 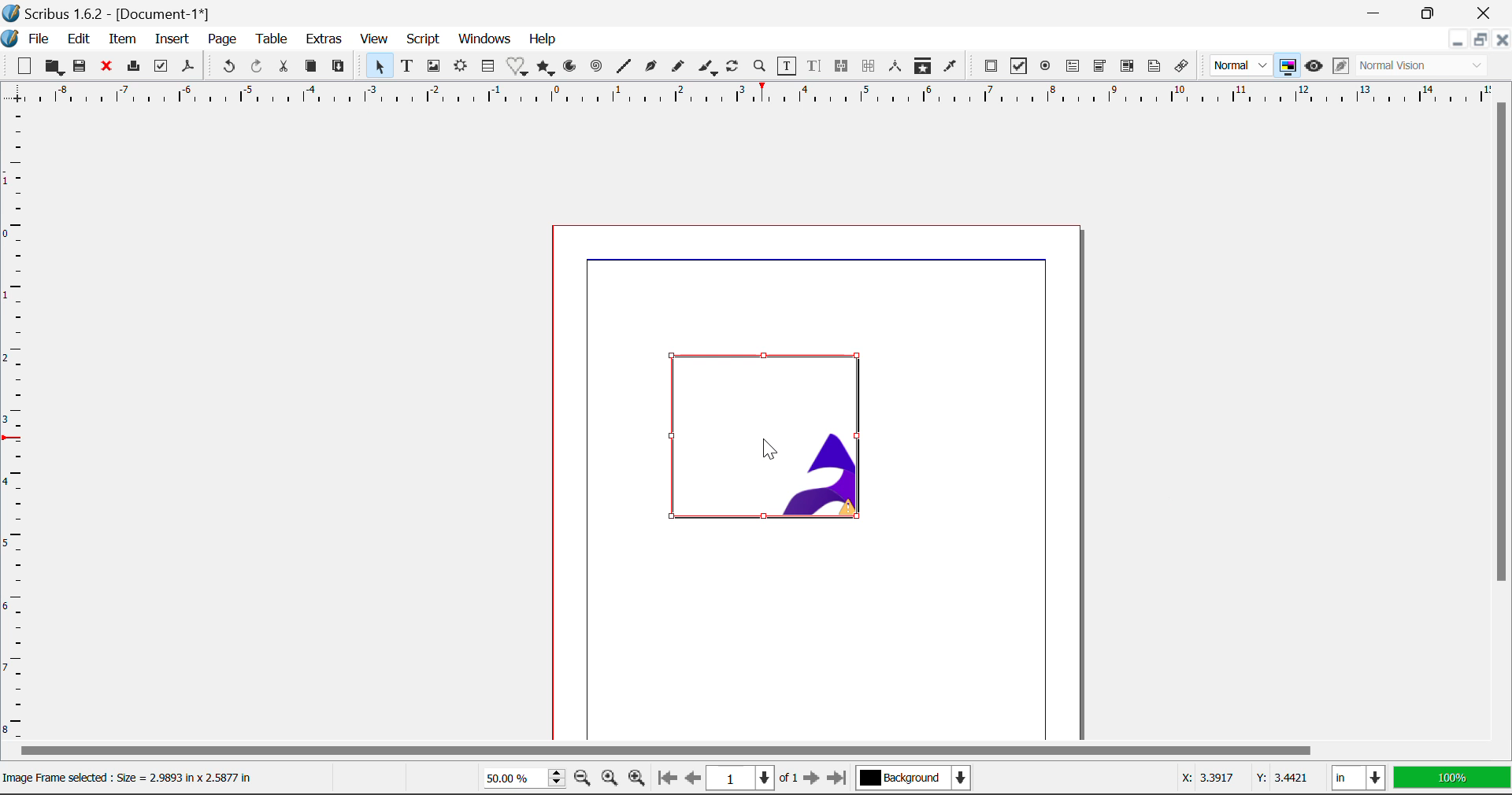 I want to click on Image Frame Selected, so click(x=774, y=440).